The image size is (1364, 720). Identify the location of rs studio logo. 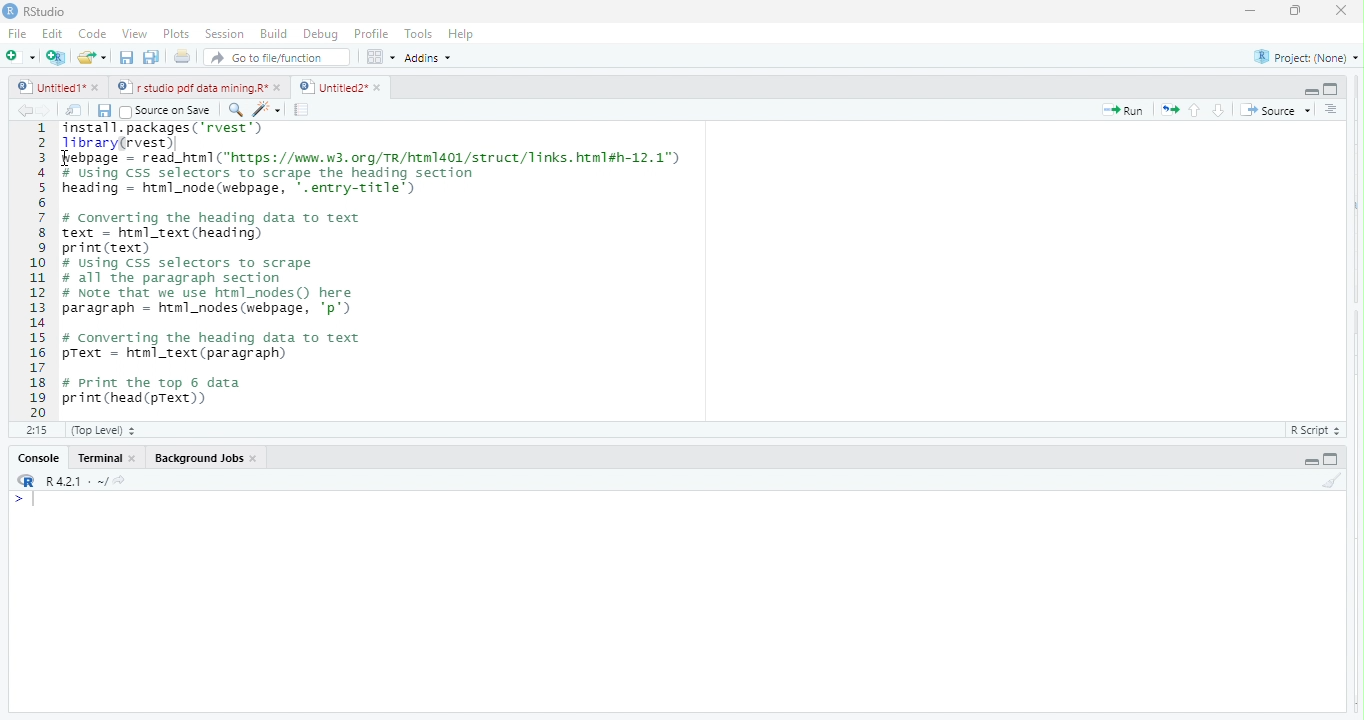
(26, 481).